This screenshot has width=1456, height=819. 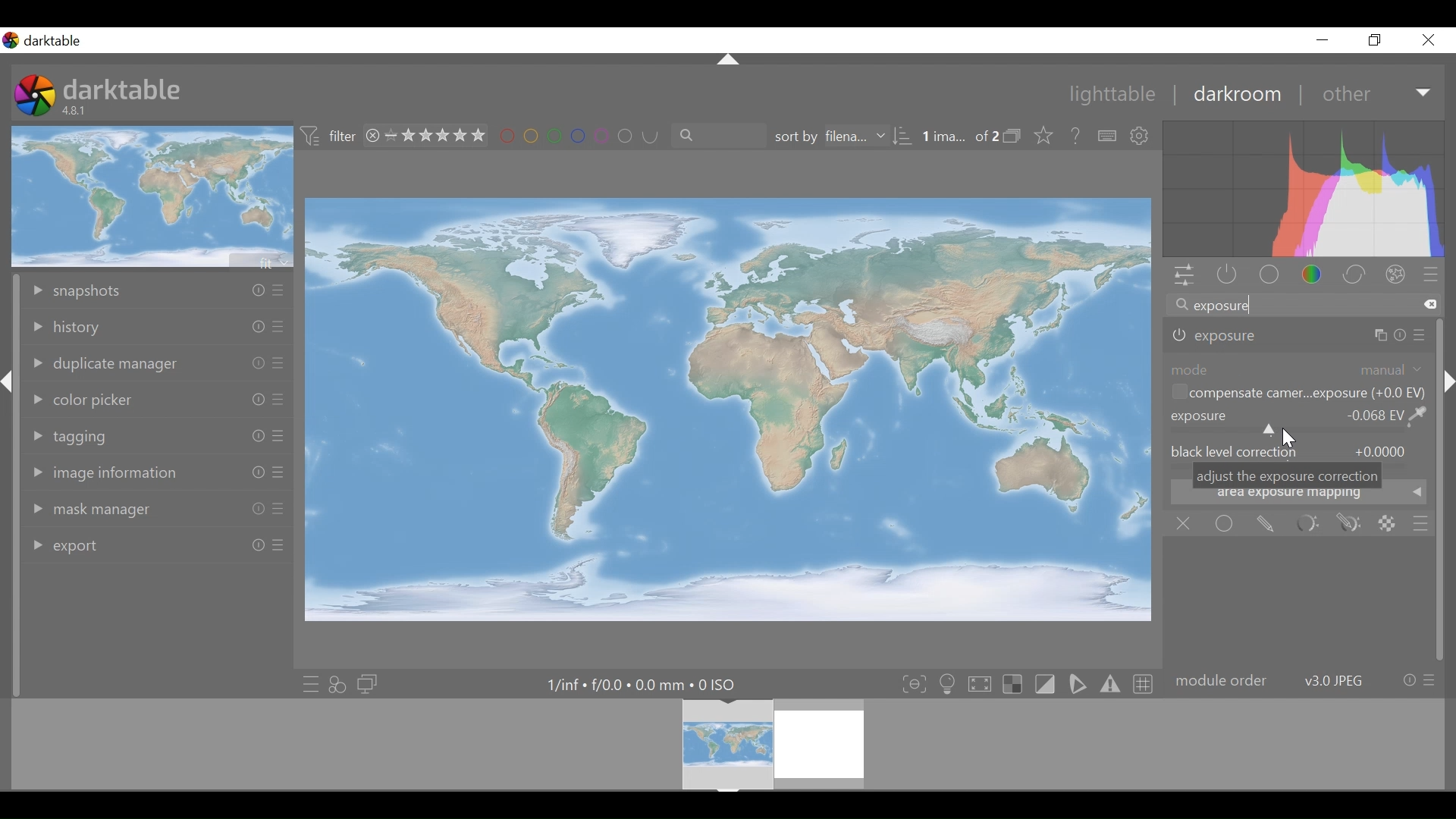 I want to click on base, so click(x=1267, y=275).